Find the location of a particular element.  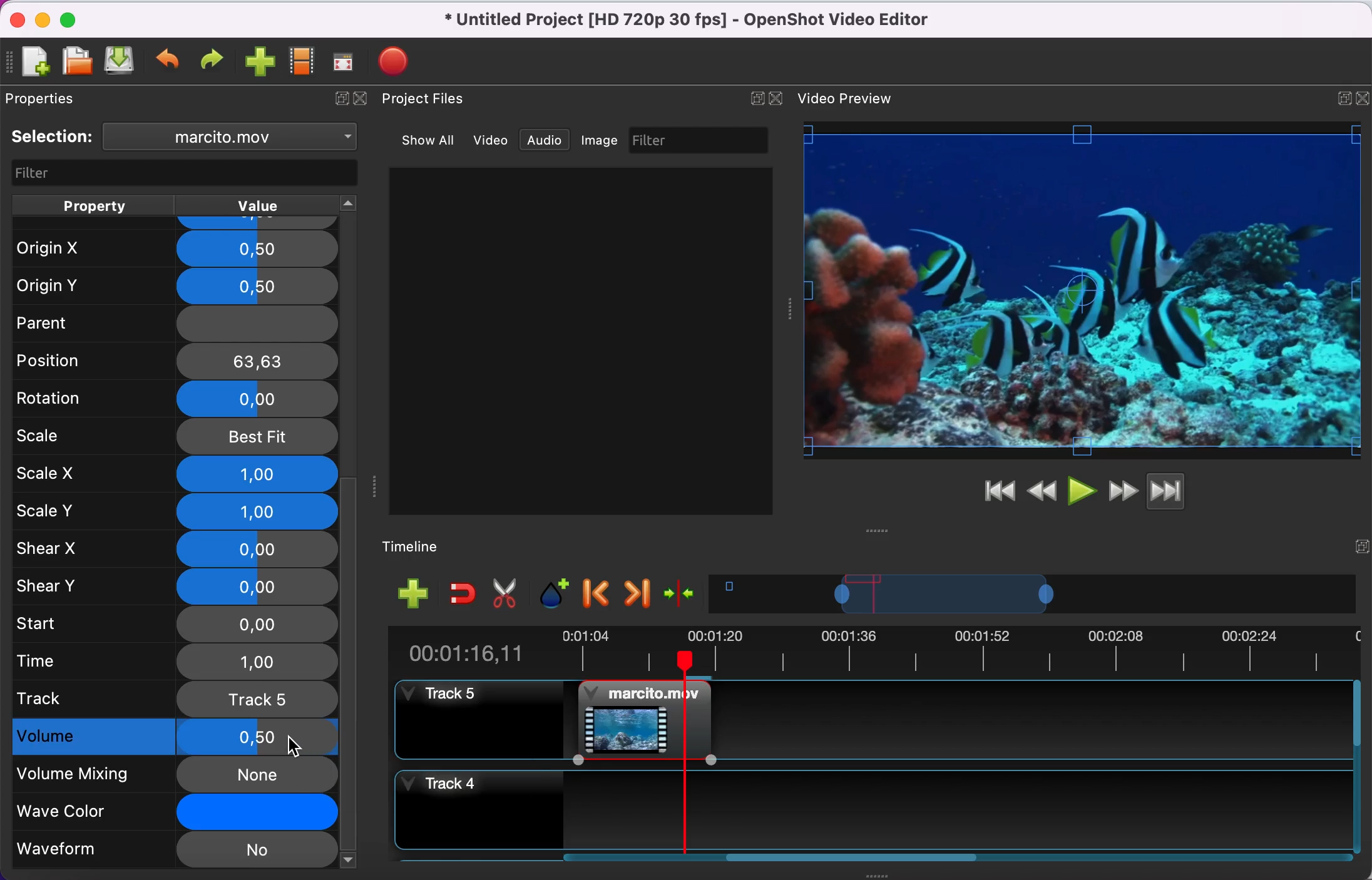

value is located at coordinates (273, 205).